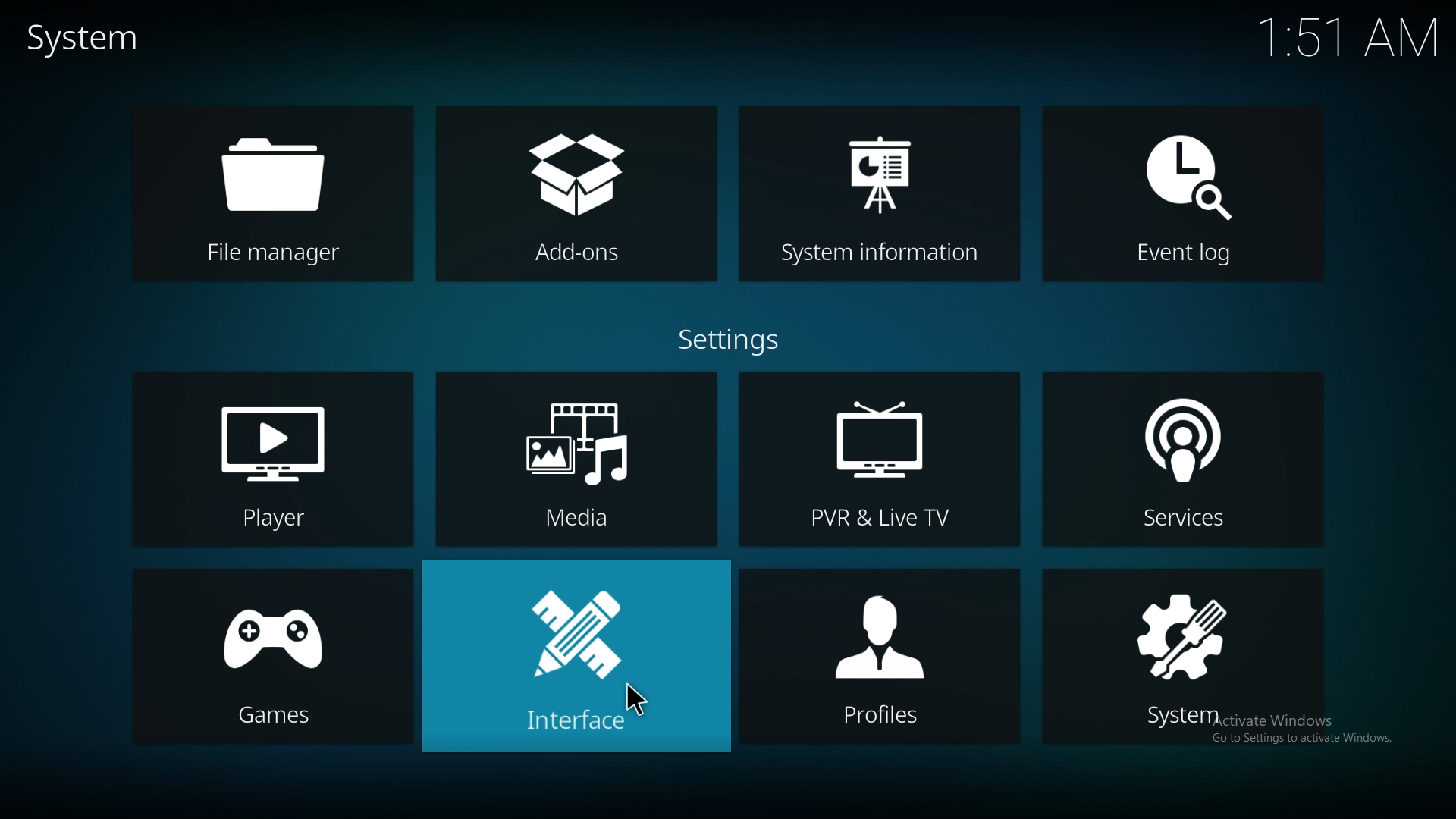 The height and width of the screenshot is (819, 1456). What do you see at coordinates (278, 193) in the screenshot?
I see `file manager` at bounding box center [278, 193].